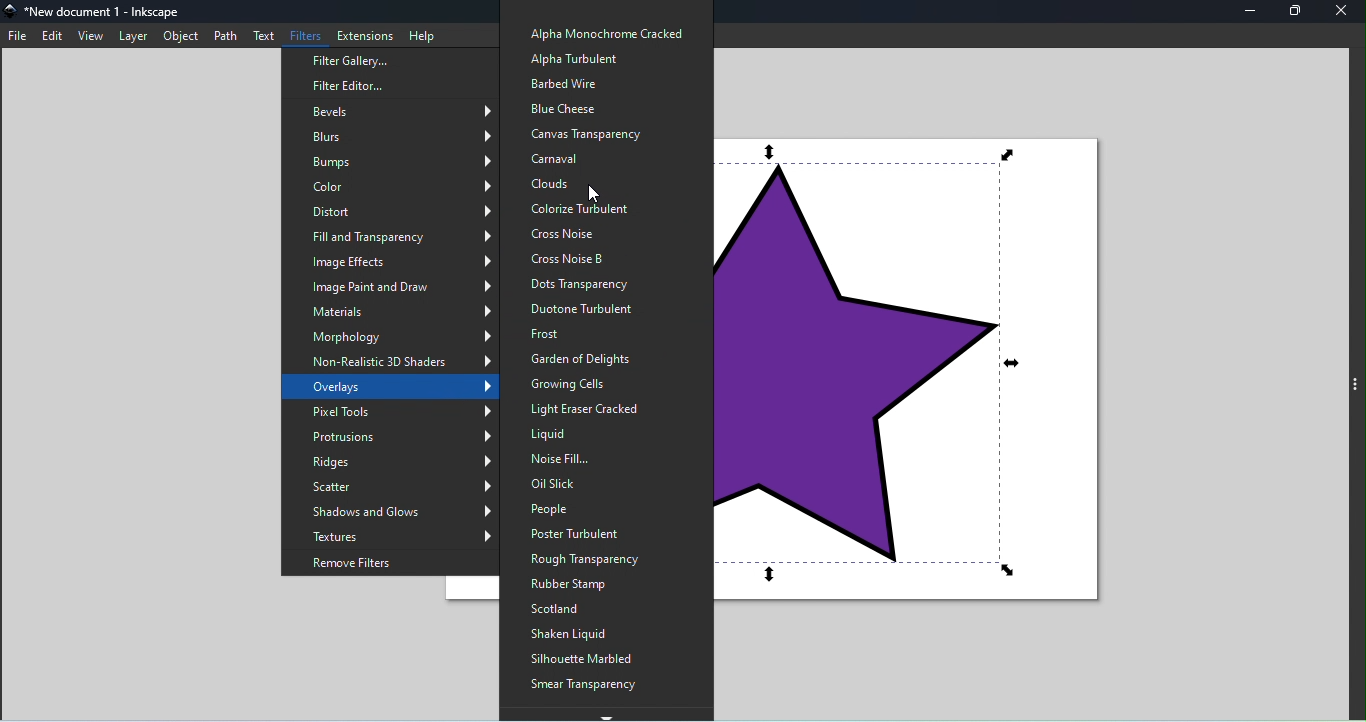  Describe the element at coordinates (398, 235) in the screenshot. I see `Fill and transparency` at that location.